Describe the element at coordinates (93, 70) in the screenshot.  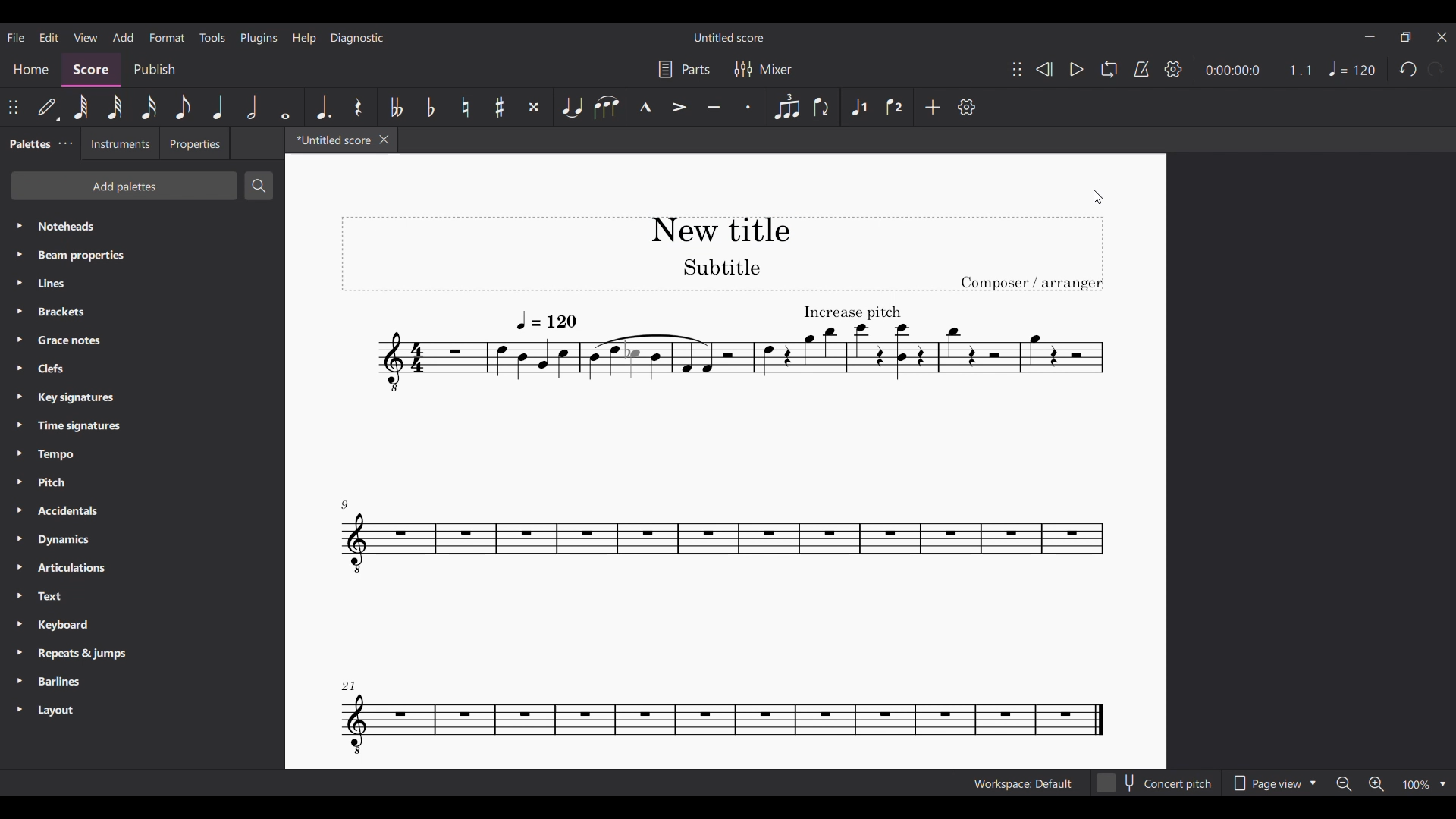
I see `Score, current section highlighted` at that location.